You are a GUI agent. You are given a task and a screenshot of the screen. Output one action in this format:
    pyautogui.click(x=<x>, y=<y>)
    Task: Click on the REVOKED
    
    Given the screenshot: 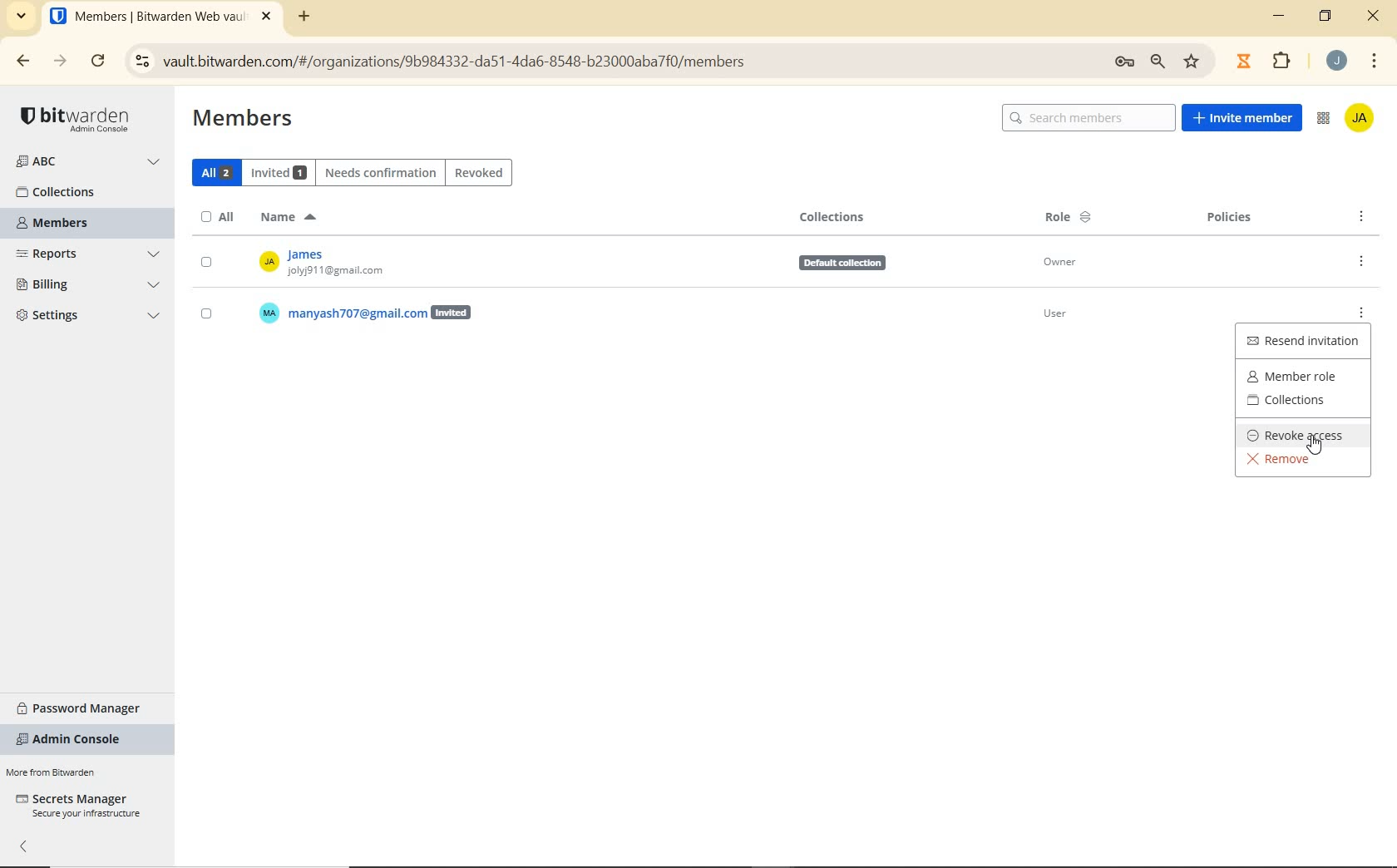 What is the action you would take?
    pyautogui.click(x=479, y=172)
    